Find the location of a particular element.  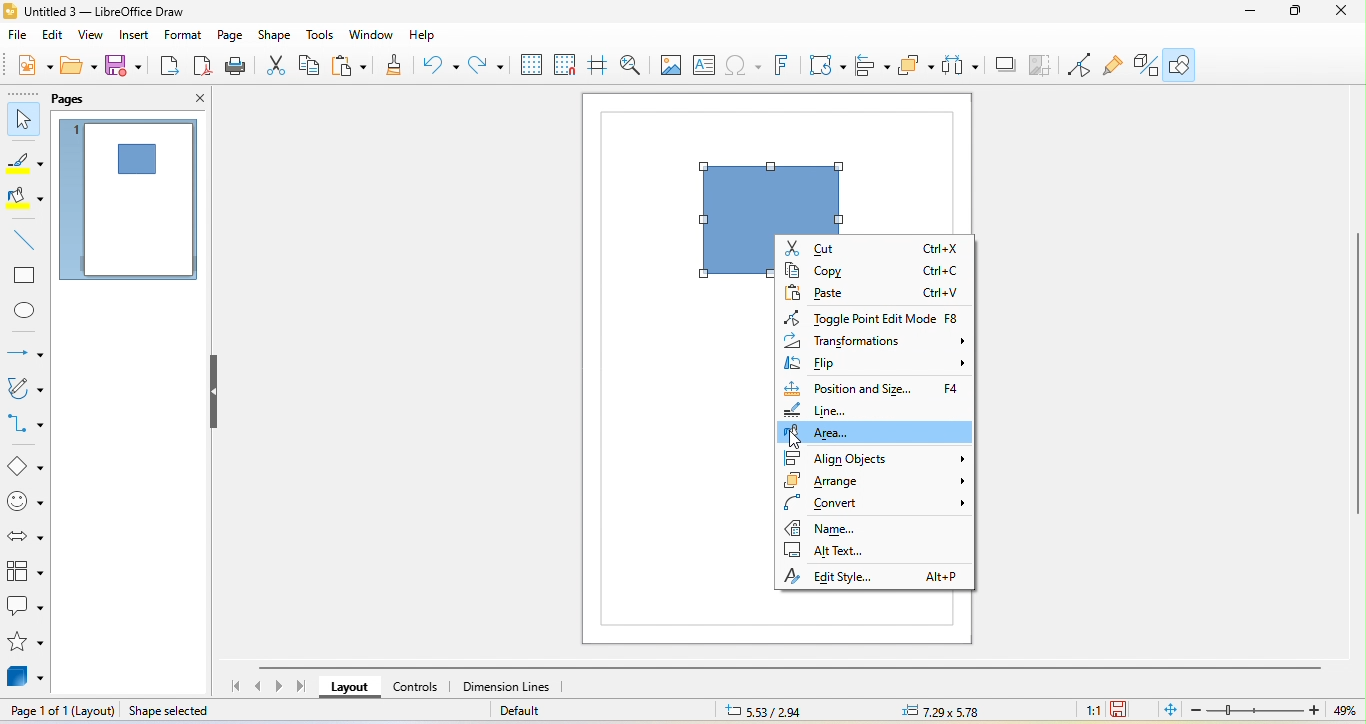

block arrows is located at coordinates (25, 534).